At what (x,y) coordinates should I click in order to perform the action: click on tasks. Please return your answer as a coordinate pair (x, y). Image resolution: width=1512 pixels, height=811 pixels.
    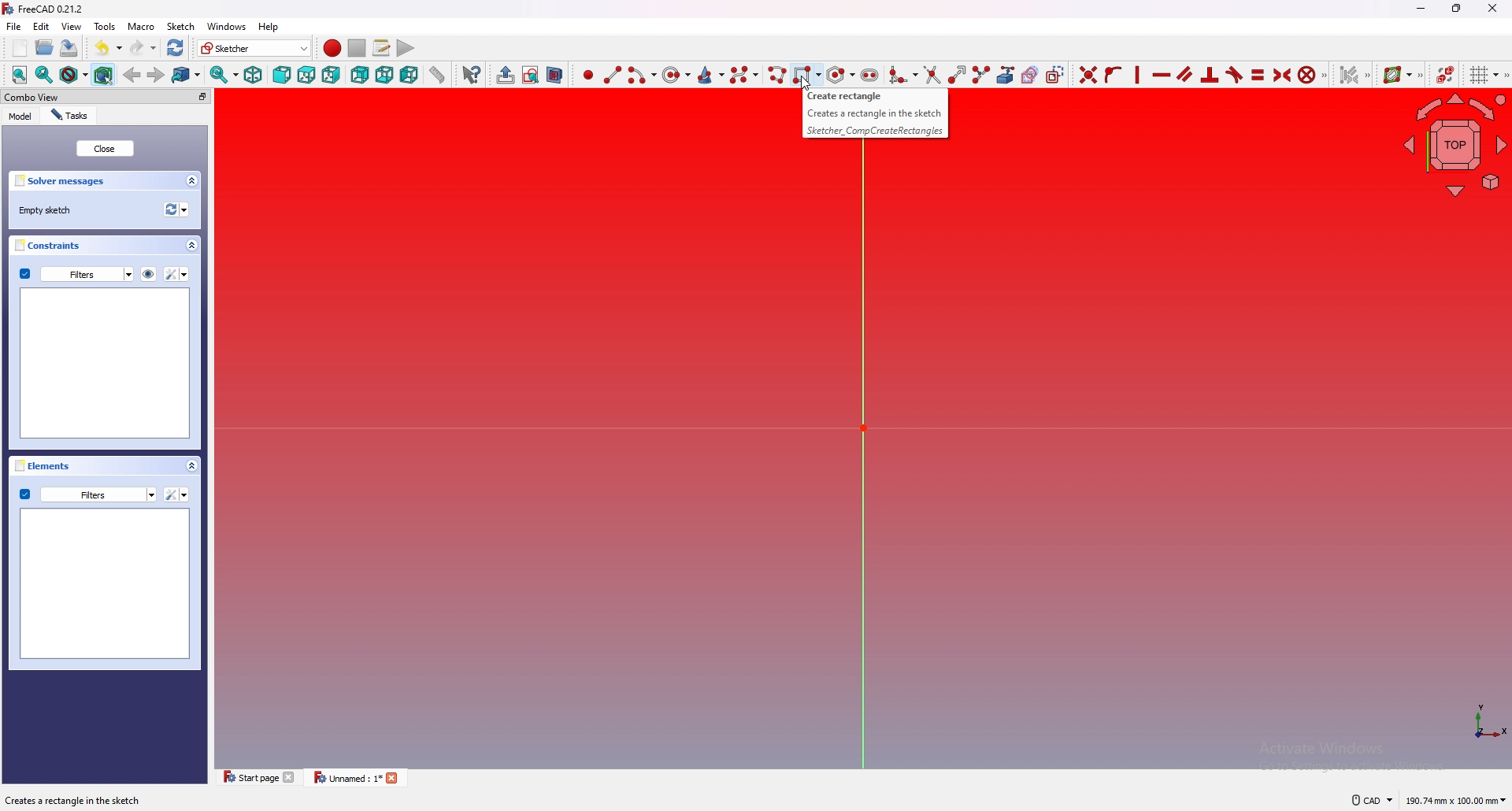
    Looking at the image, I should click on (70, 116).